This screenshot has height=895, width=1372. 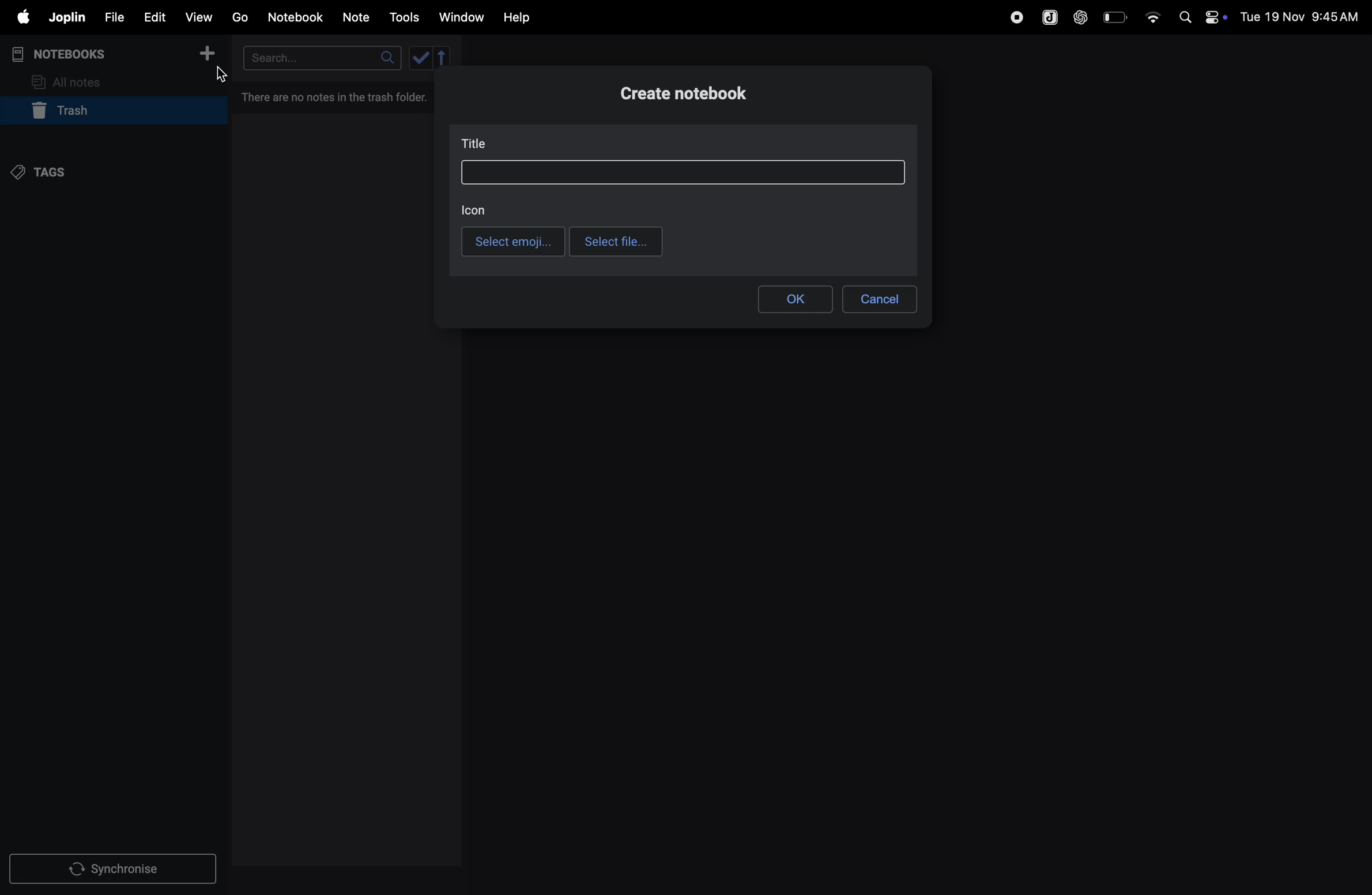 What do you see at coordinates (479, 145) in the screenshot?
I see `title` at bounding box center [479, 145].